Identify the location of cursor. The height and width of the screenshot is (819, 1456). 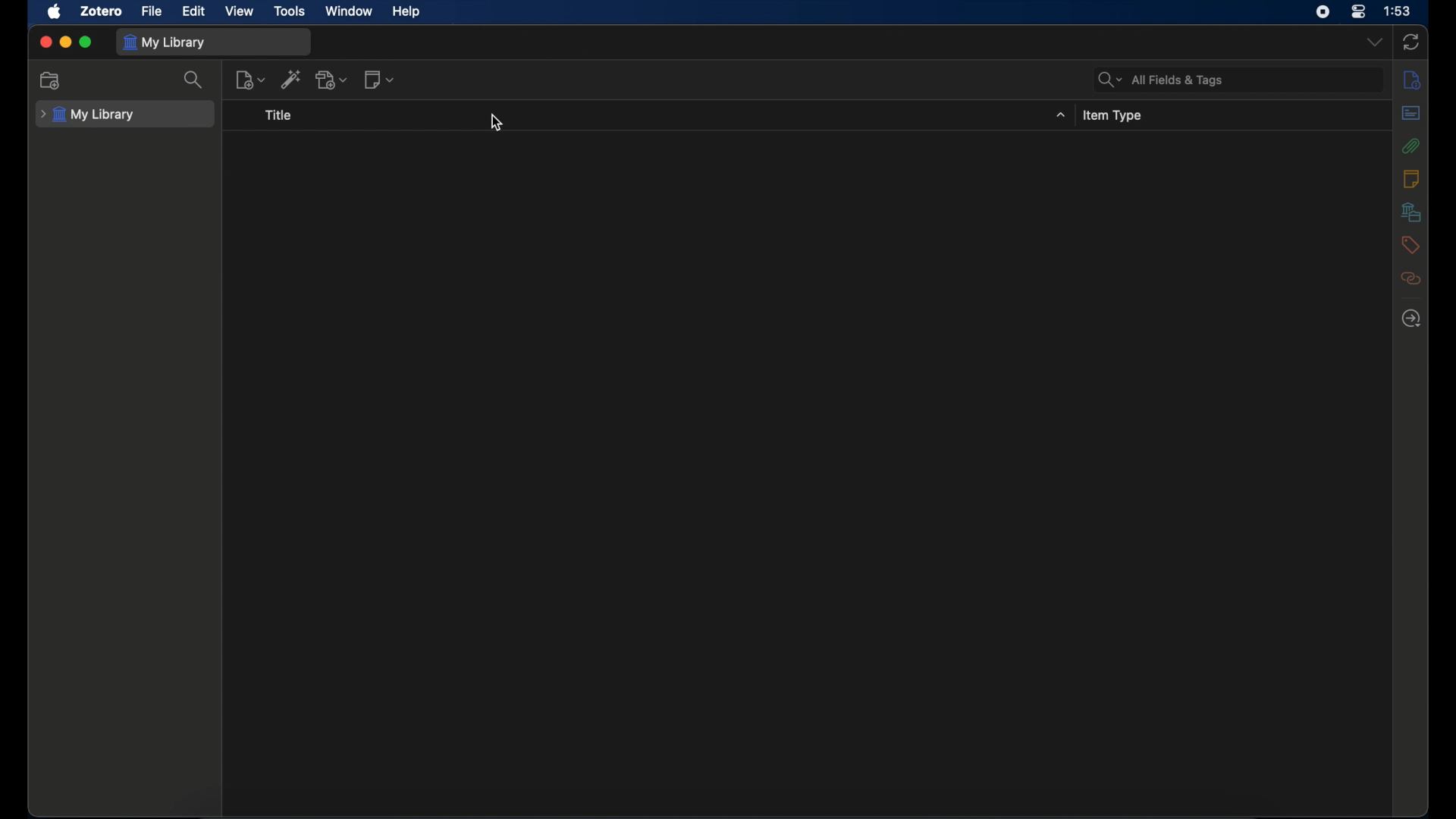
(497, 123).